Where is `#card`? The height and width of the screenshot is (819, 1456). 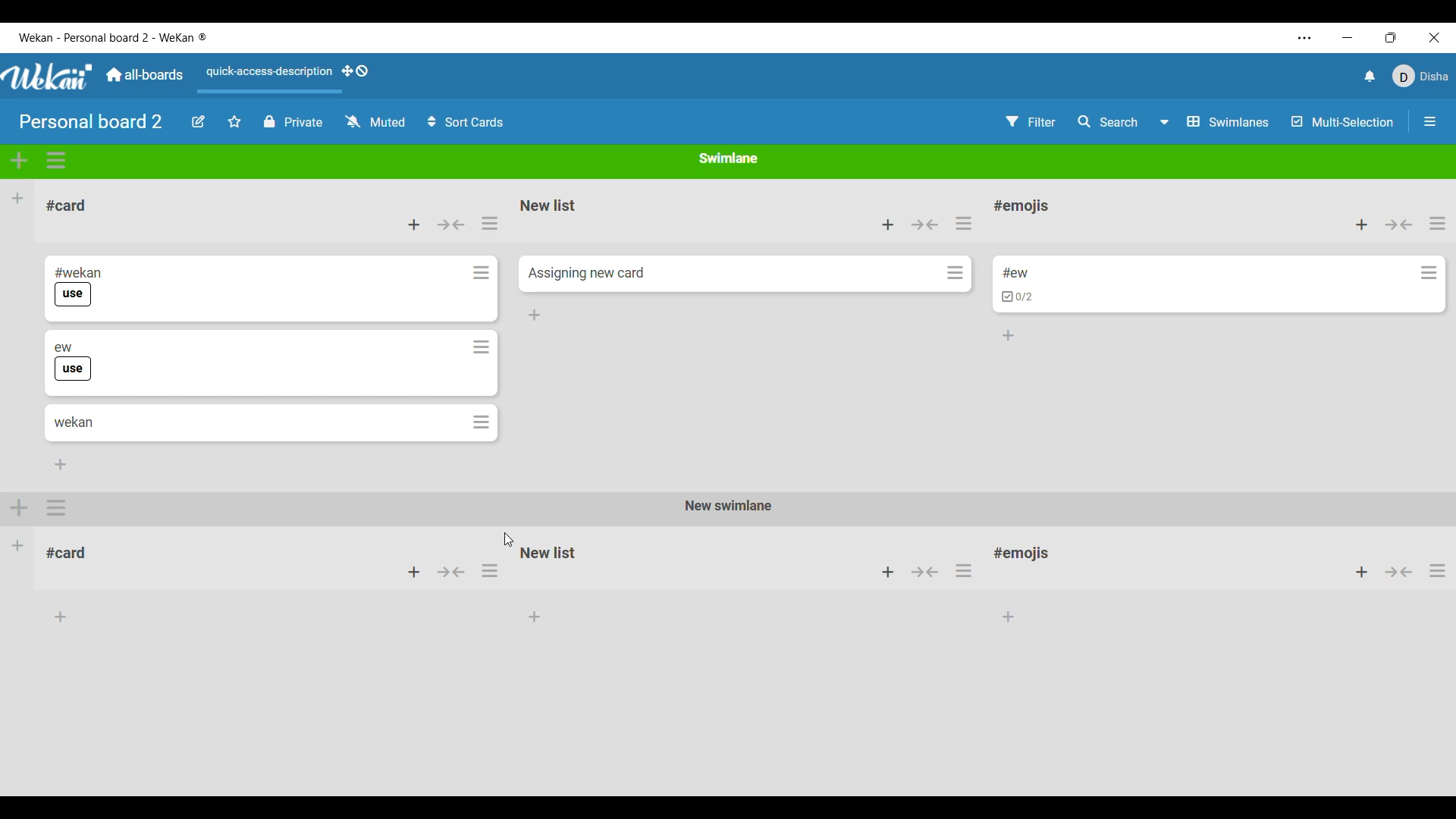 #card is located at coordinates (75, 556).